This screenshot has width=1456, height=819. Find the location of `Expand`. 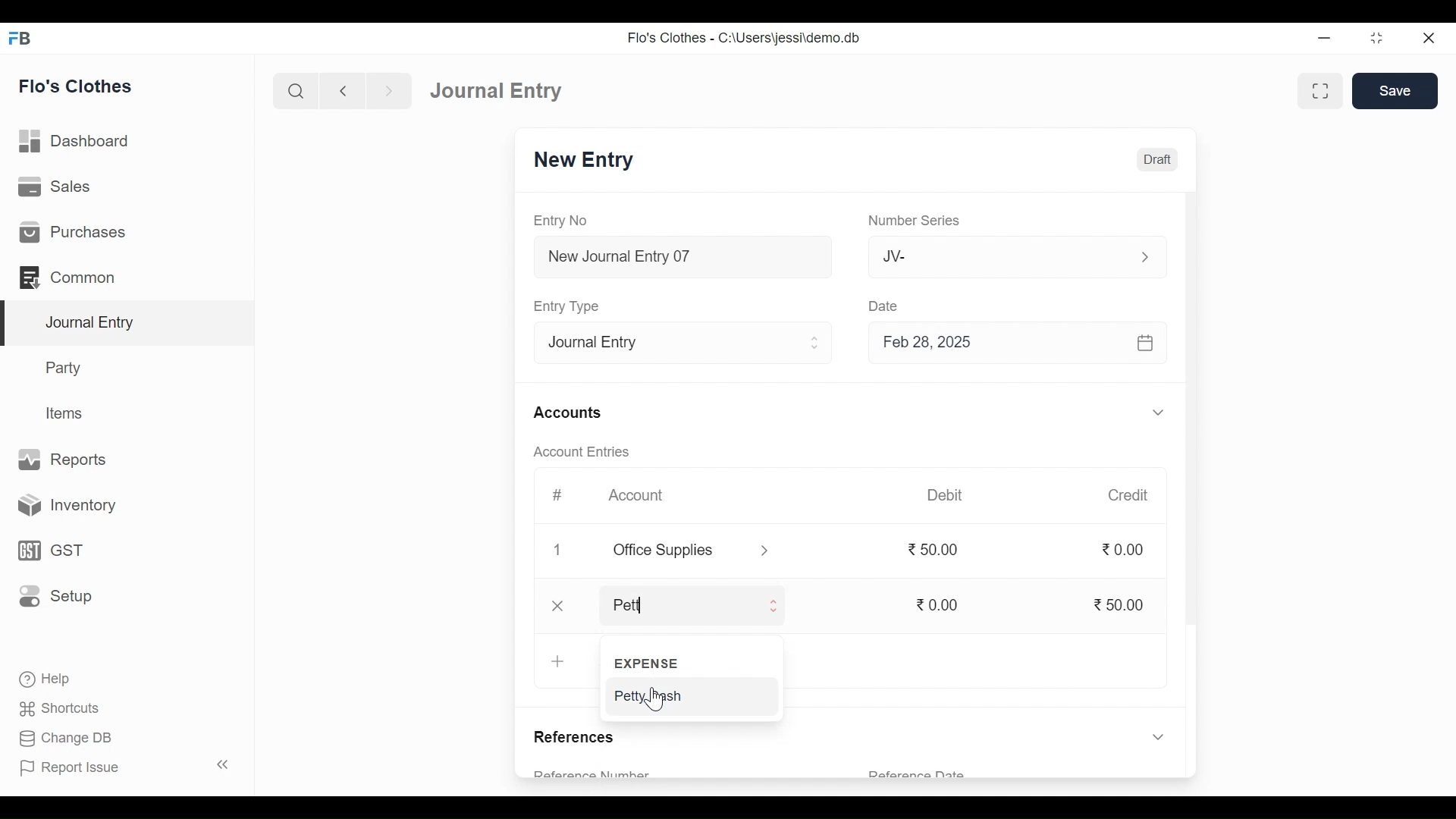

Expand is located at coordinates (817, 343).